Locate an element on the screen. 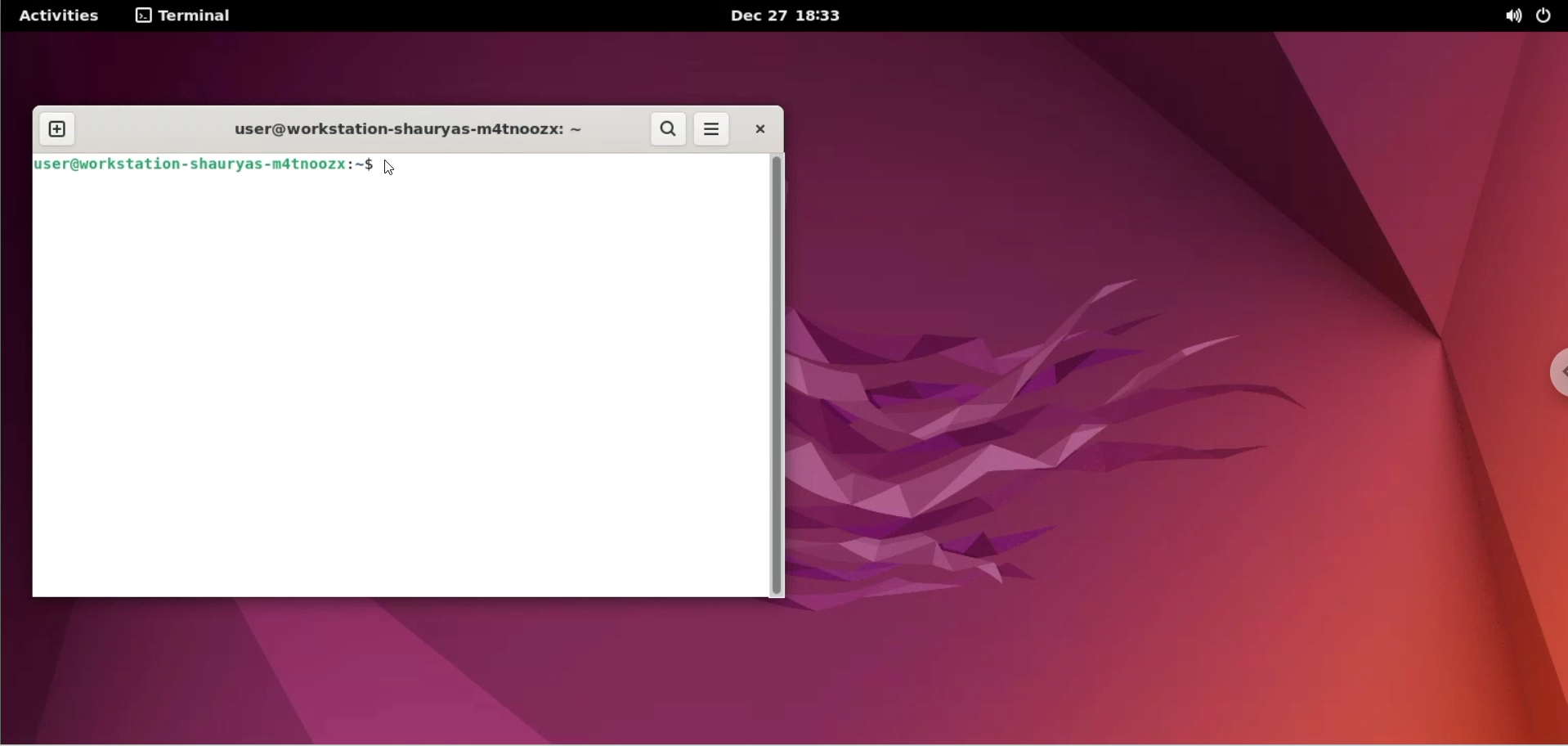 Image resolution: width=1568 pixels, height=746 pixels. power options is located at coordinates (1549, 16).